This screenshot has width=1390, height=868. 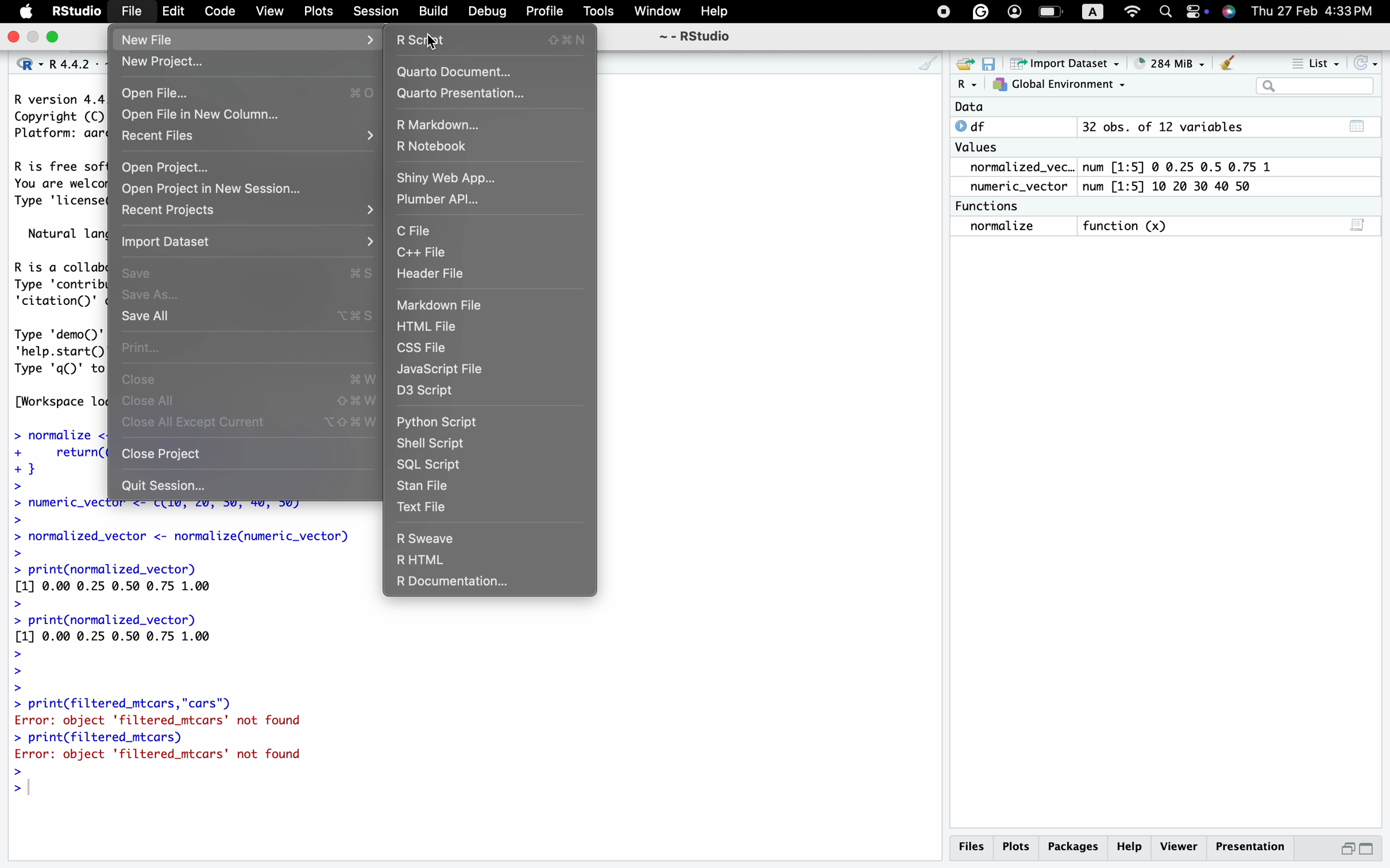 What do you see at coordinates (247, 400) in the screenshot?
I see `Close All` at bounding box center [247, 400].